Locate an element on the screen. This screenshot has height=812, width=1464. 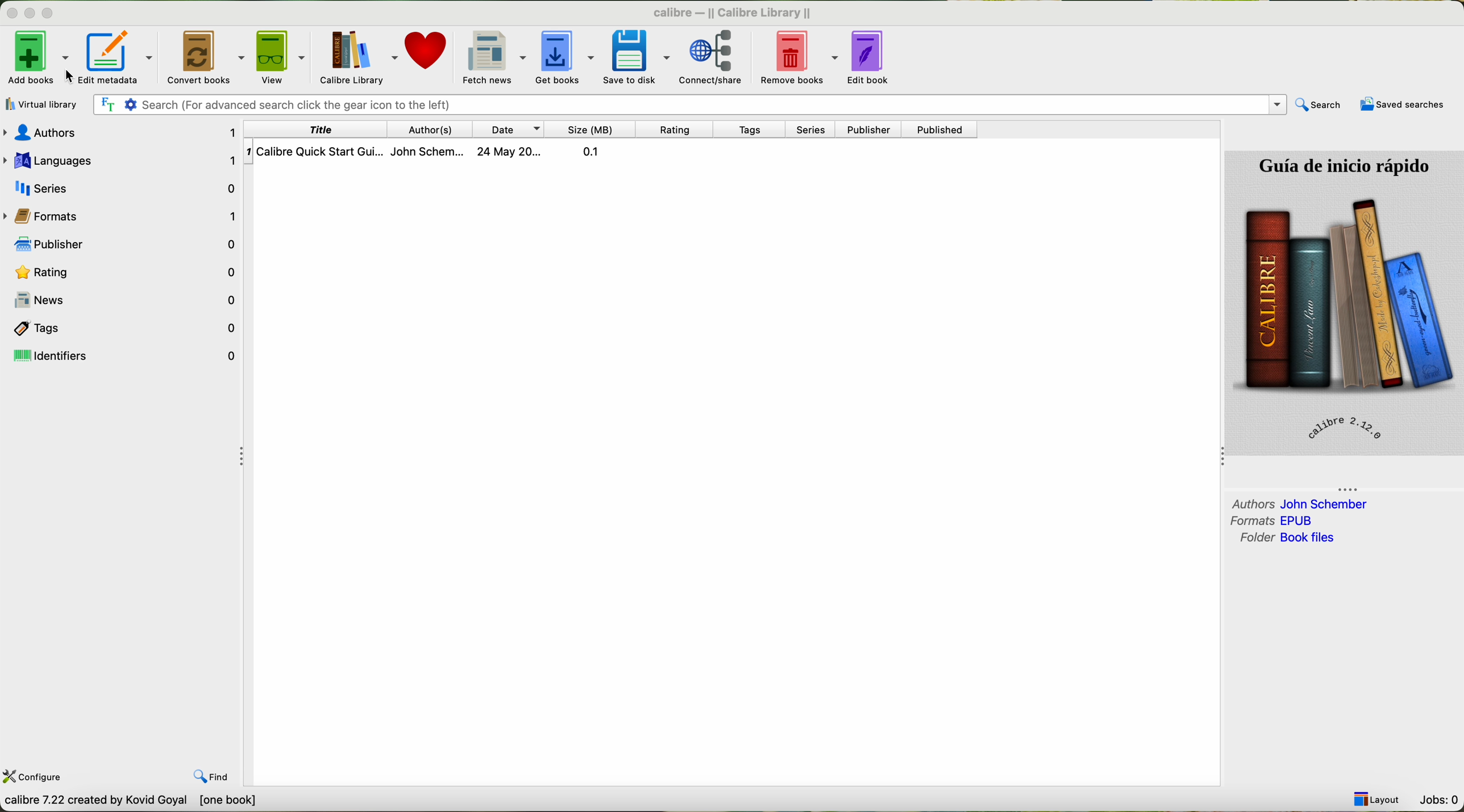
edit metadata is located at coordinates (120, 55).